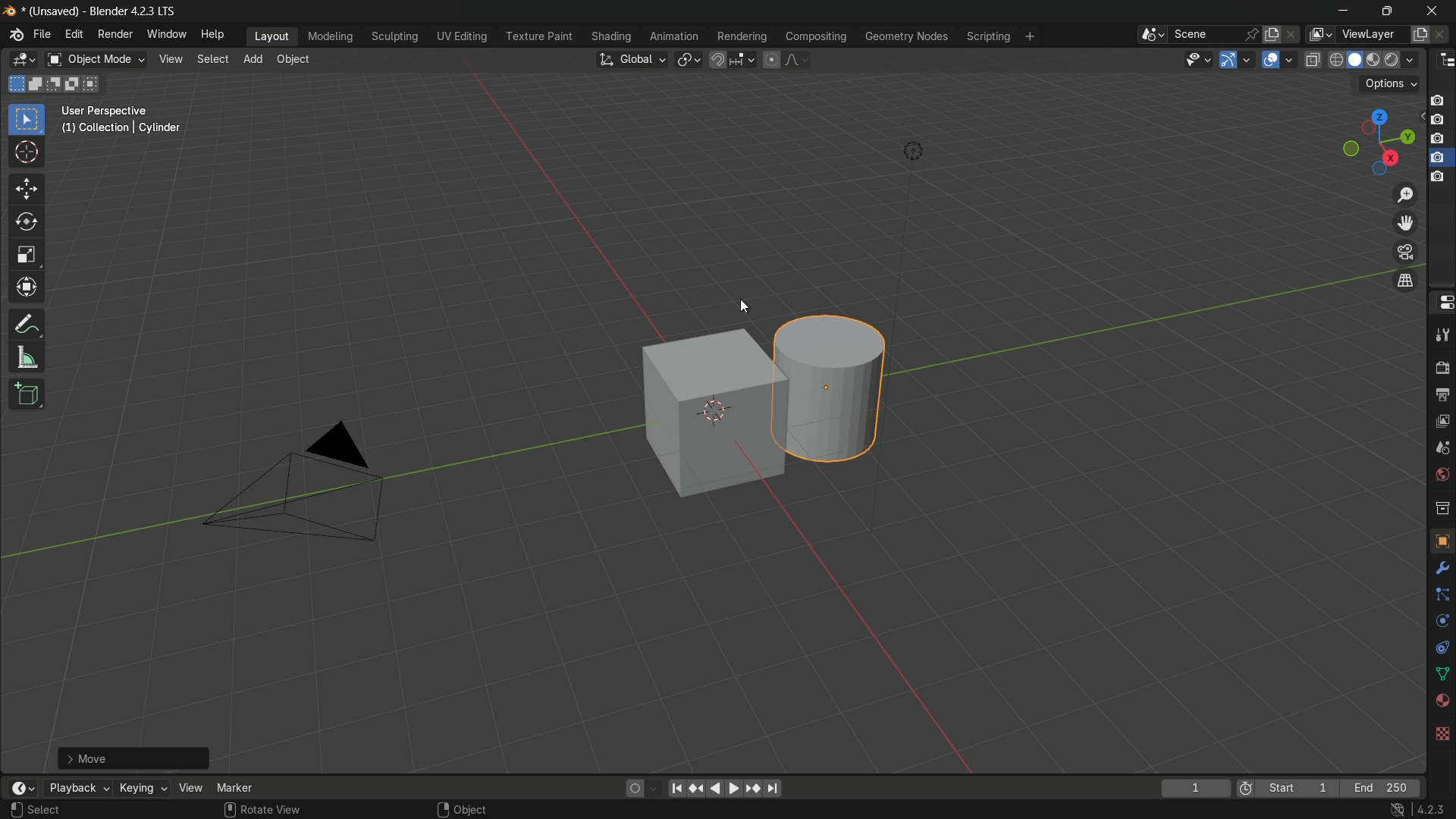  I want to click on playback, so click(78, 789).